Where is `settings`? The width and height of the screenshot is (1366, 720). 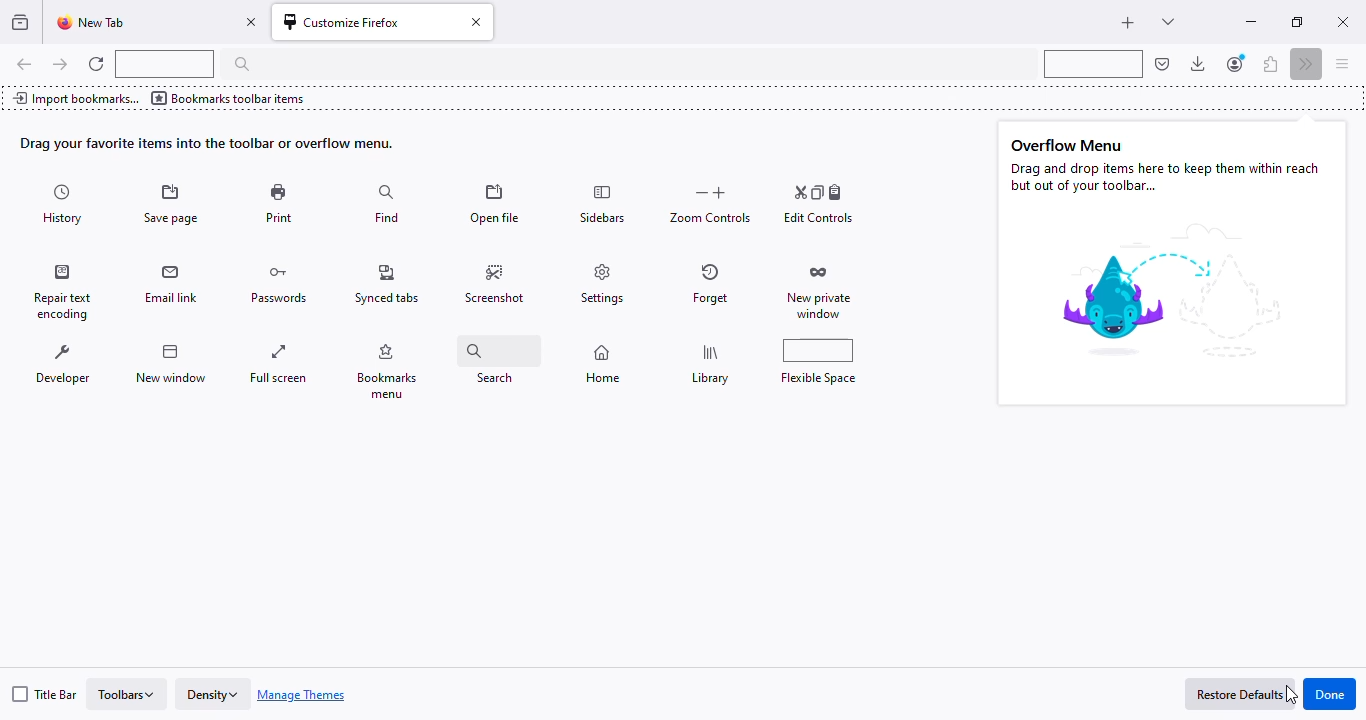 settings is located at coordinates (603, 283).